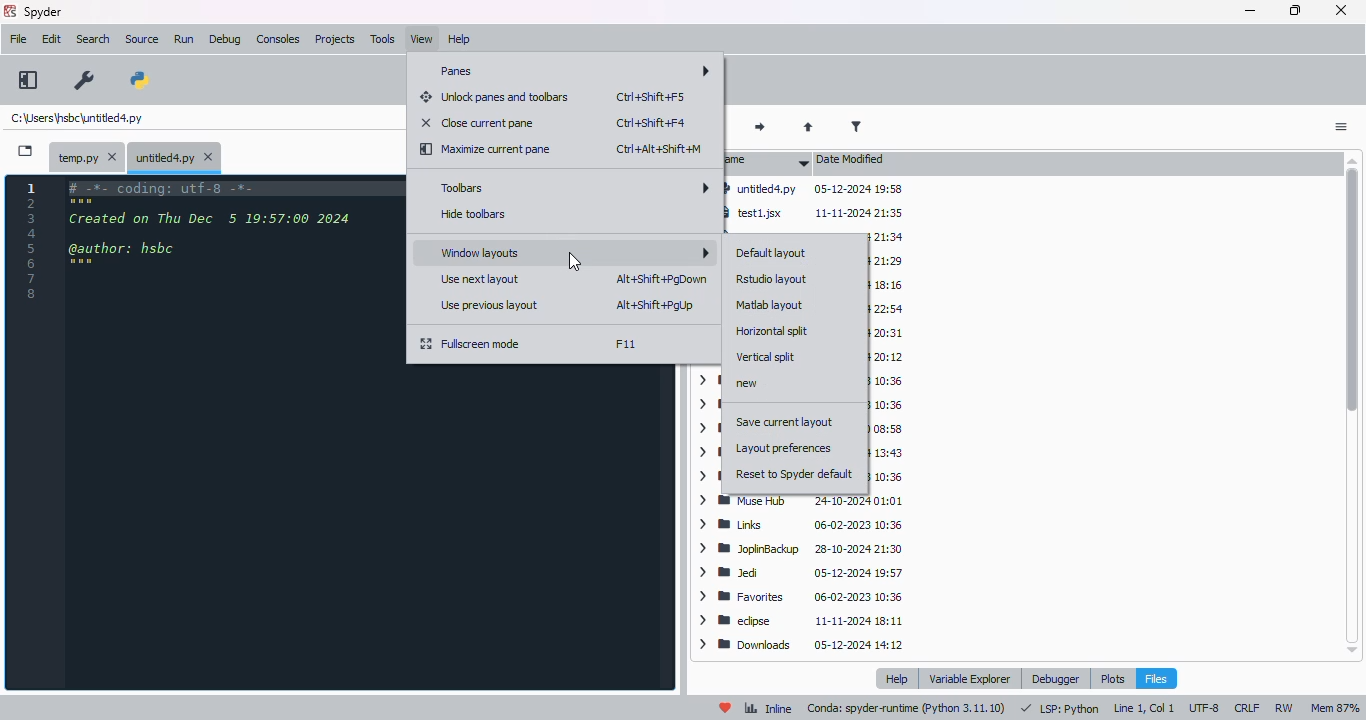 The width and height of the screenshot is (1366, 720). Describe the element at coordinates (1156, 678) in the screenshot. I see `files` at that location.